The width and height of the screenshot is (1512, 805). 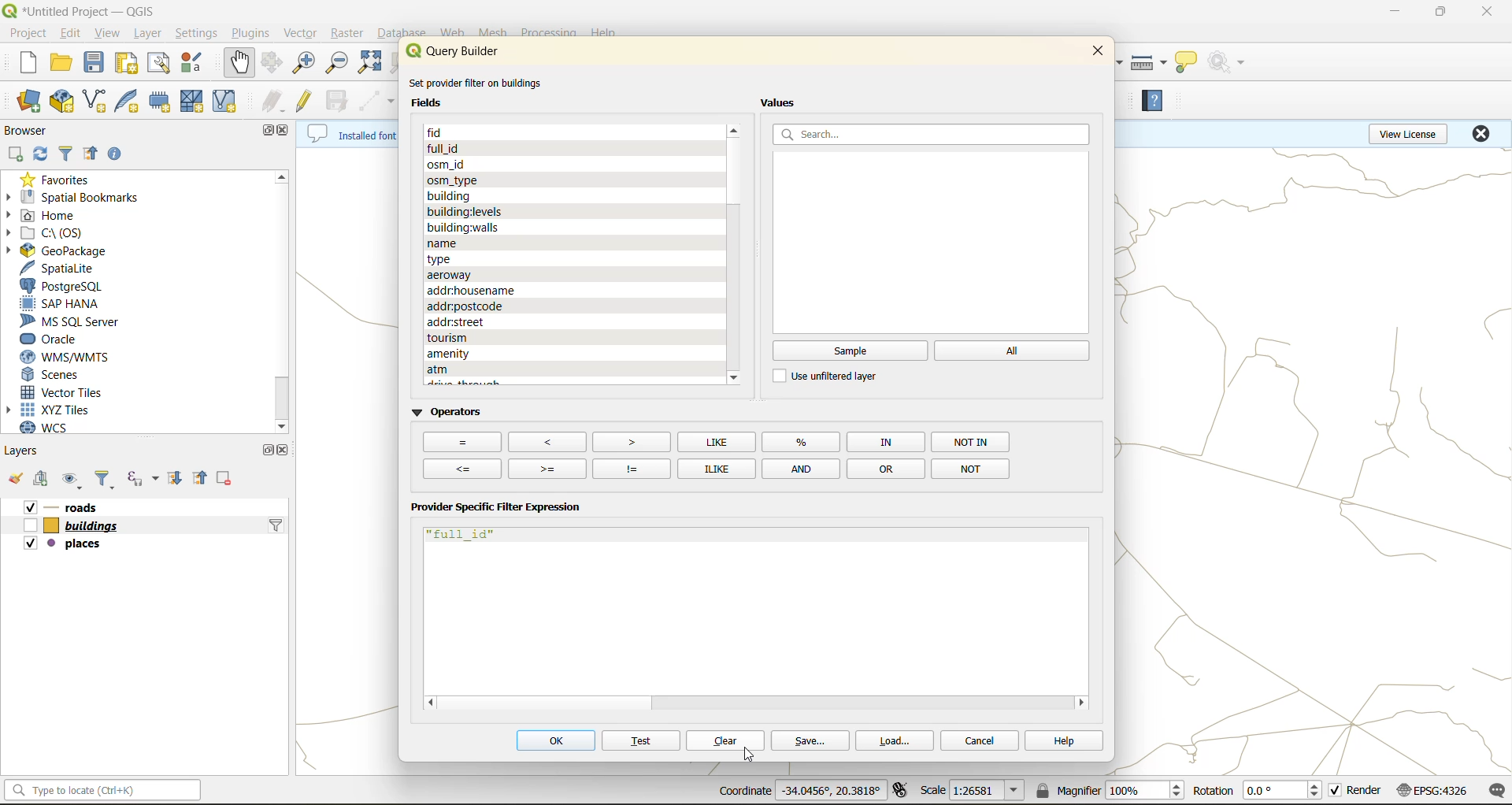 What do you see at coordinates (17, 477) in the screenshot?
I see `open` at bounding box center [17, 477].